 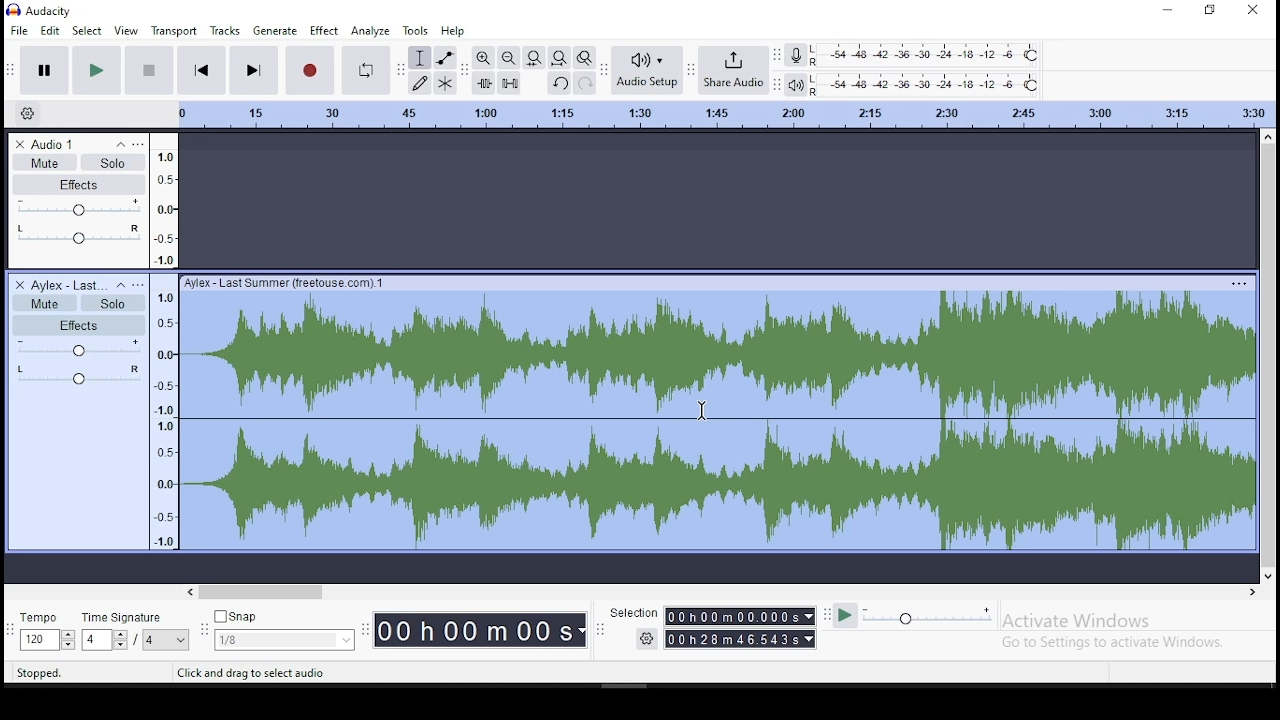 What do you see at coordinates (46, 302) in the screenshot?
I see `mute/unmute` at bounding box center [46, 302].